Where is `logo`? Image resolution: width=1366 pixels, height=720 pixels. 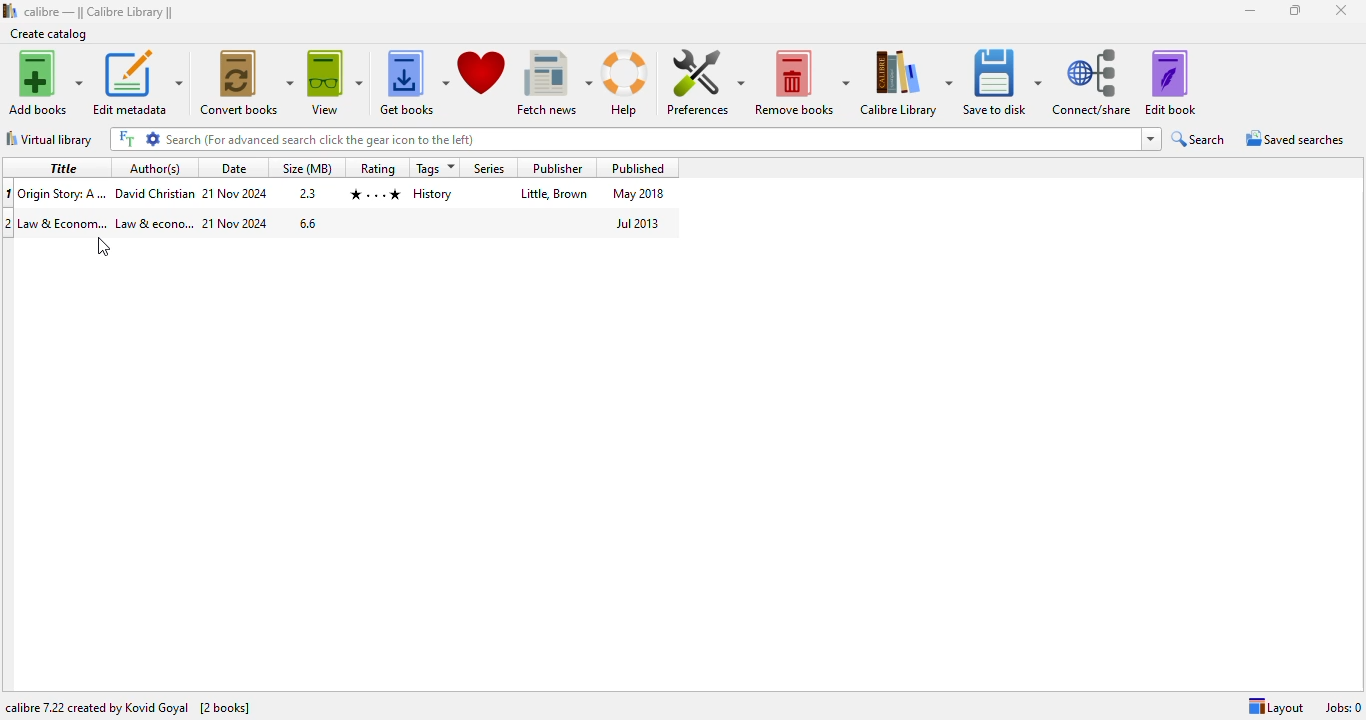 logo is located at coordinates (9, 10).